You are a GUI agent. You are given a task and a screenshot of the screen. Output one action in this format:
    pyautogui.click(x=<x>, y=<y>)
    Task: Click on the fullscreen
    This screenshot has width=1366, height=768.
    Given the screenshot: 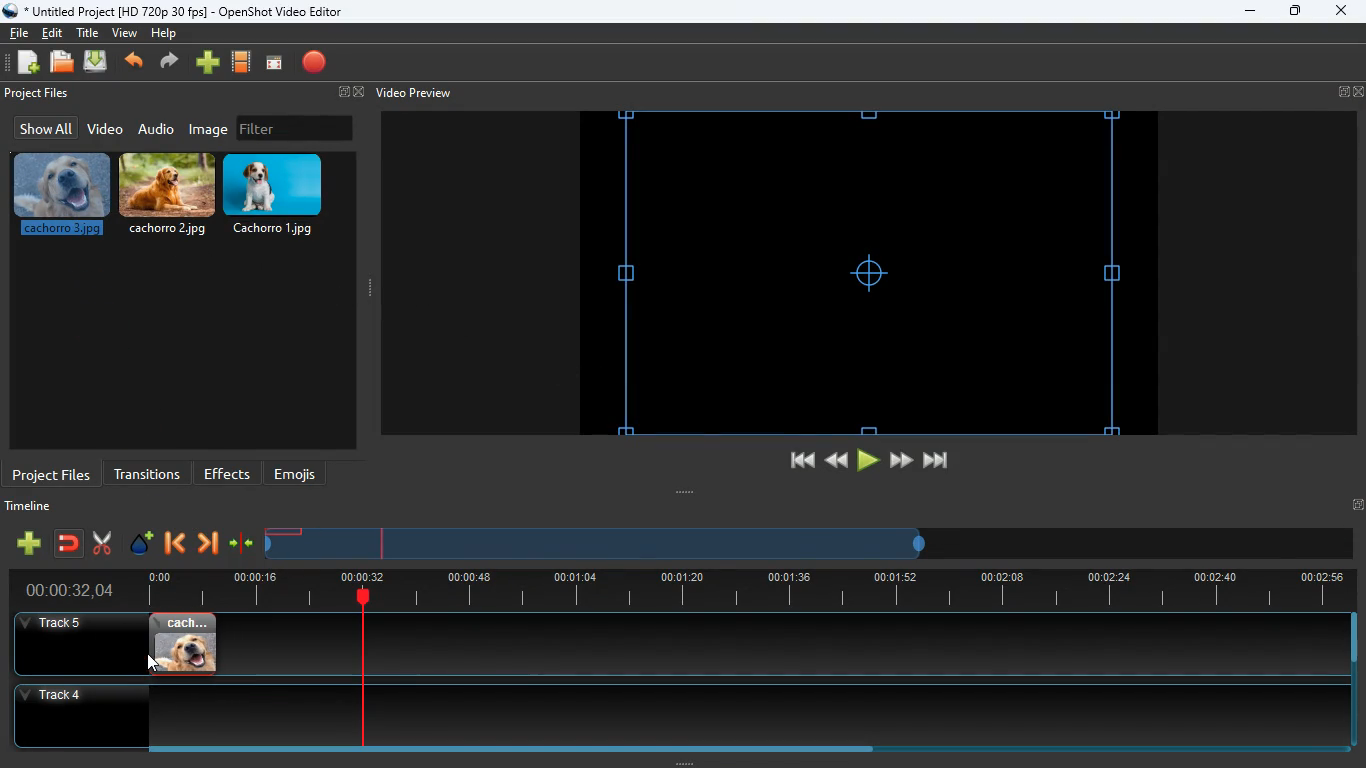 What is the action you would take?
    pyautogui.click(x=1351, y=92)
    